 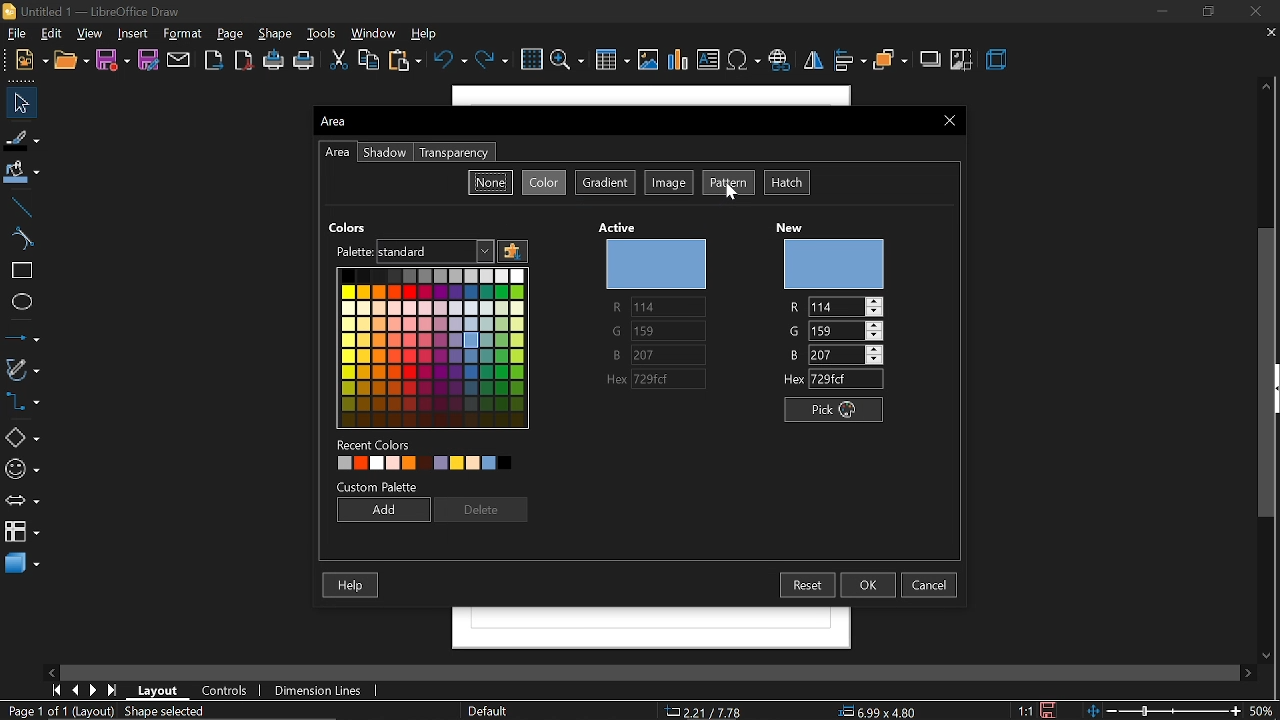 What do you see at coordinates (1270, 31) in the screenshot?
I see `close current tab` at bounding box center [1270, 31].